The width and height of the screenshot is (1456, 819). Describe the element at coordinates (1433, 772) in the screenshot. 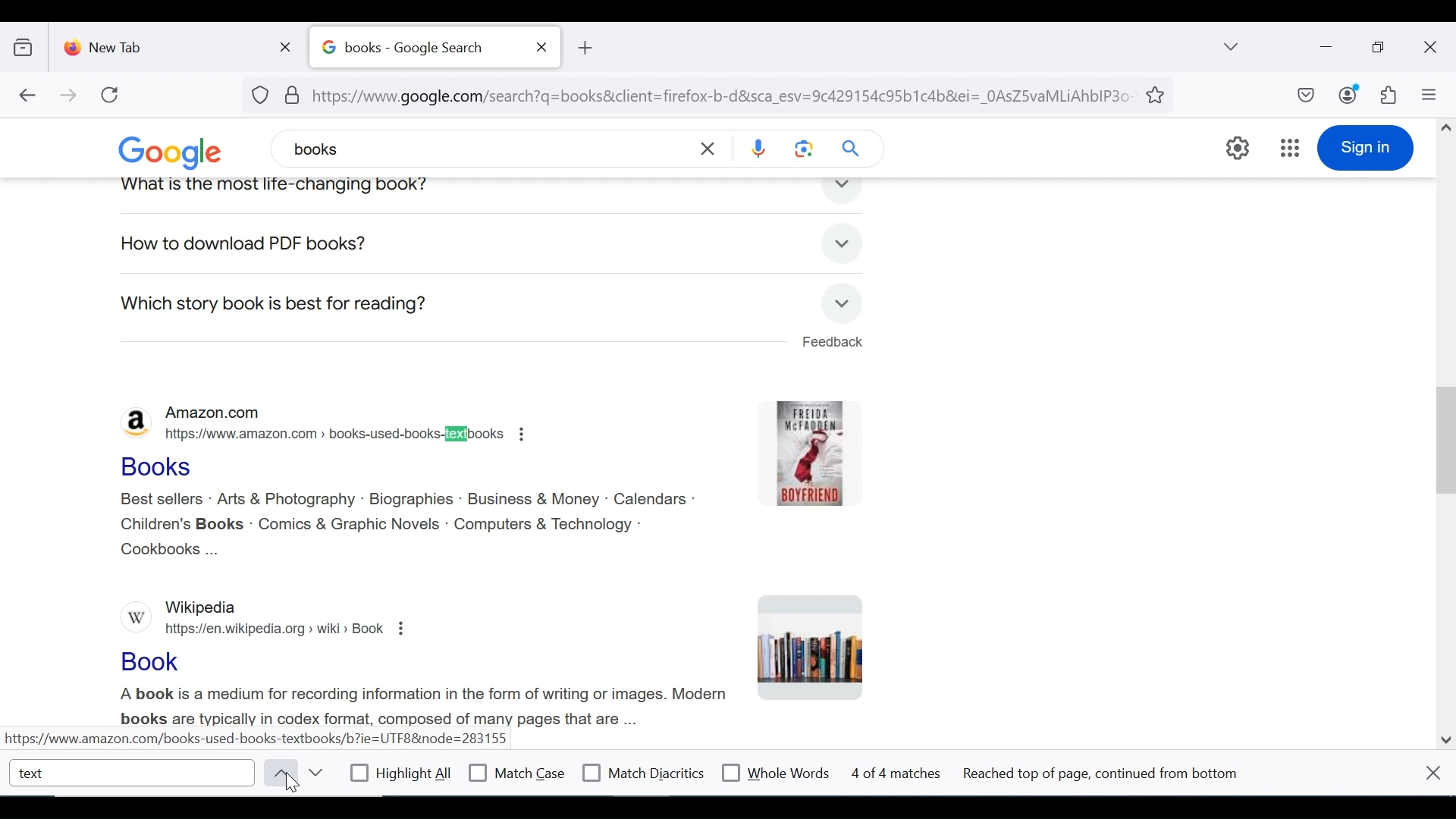

I see `close` at that location.